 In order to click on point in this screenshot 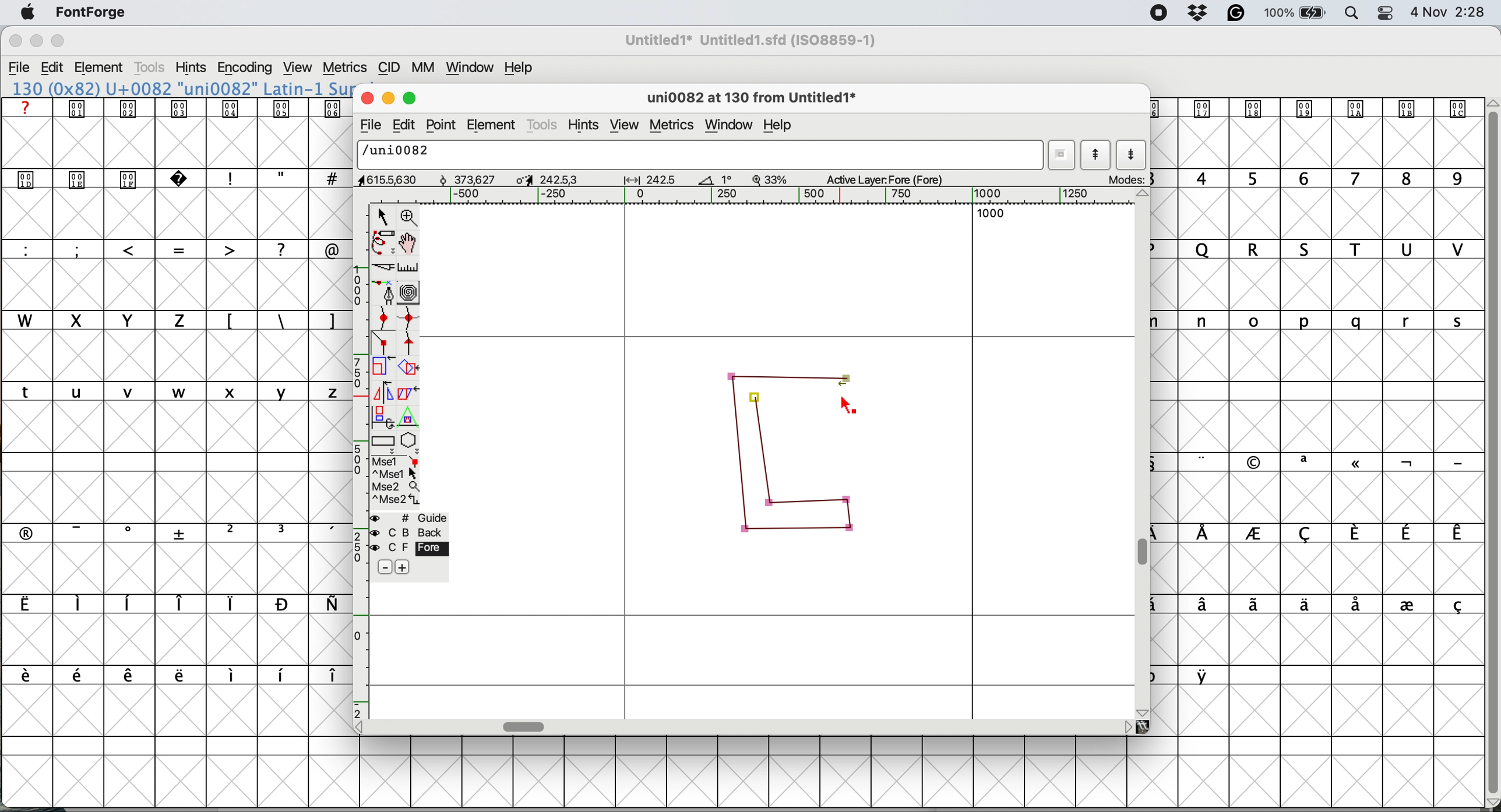, I will do `click(442, 125)`.